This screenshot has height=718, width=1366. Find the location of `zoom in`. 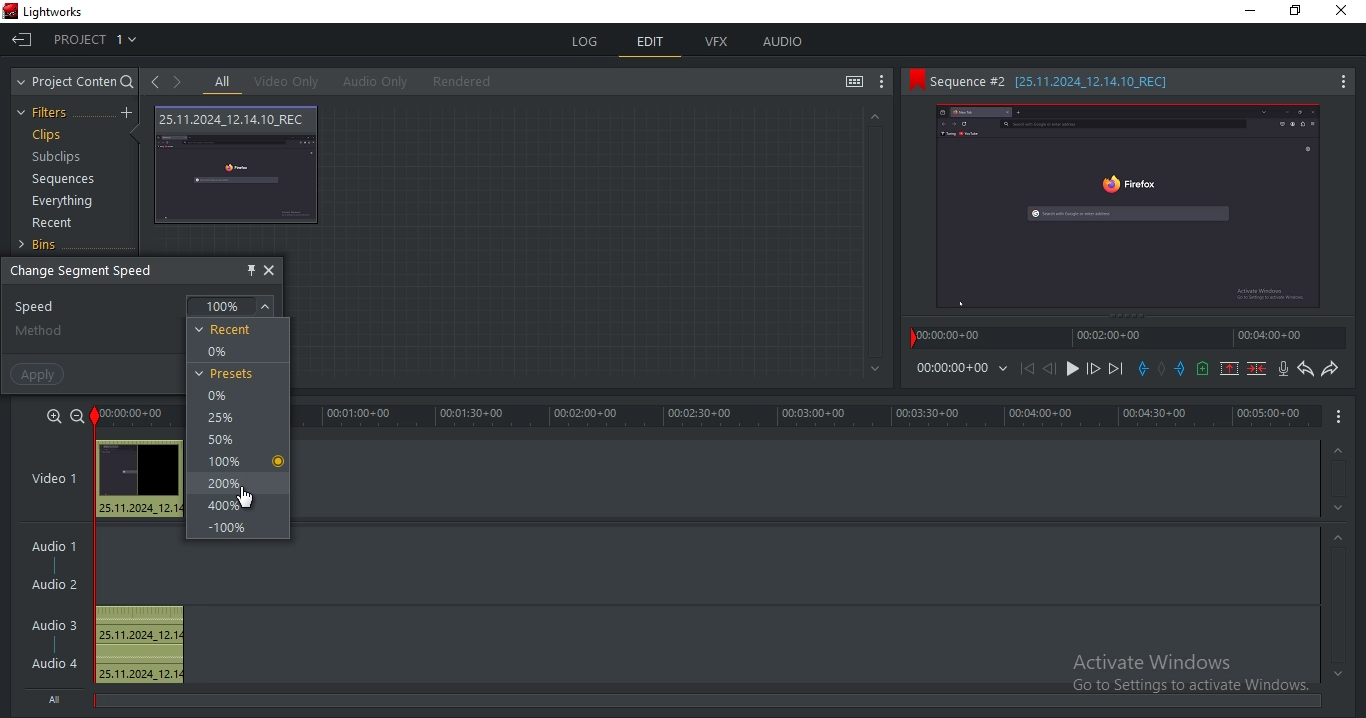

zoom in is located at coordinates (52, 416).